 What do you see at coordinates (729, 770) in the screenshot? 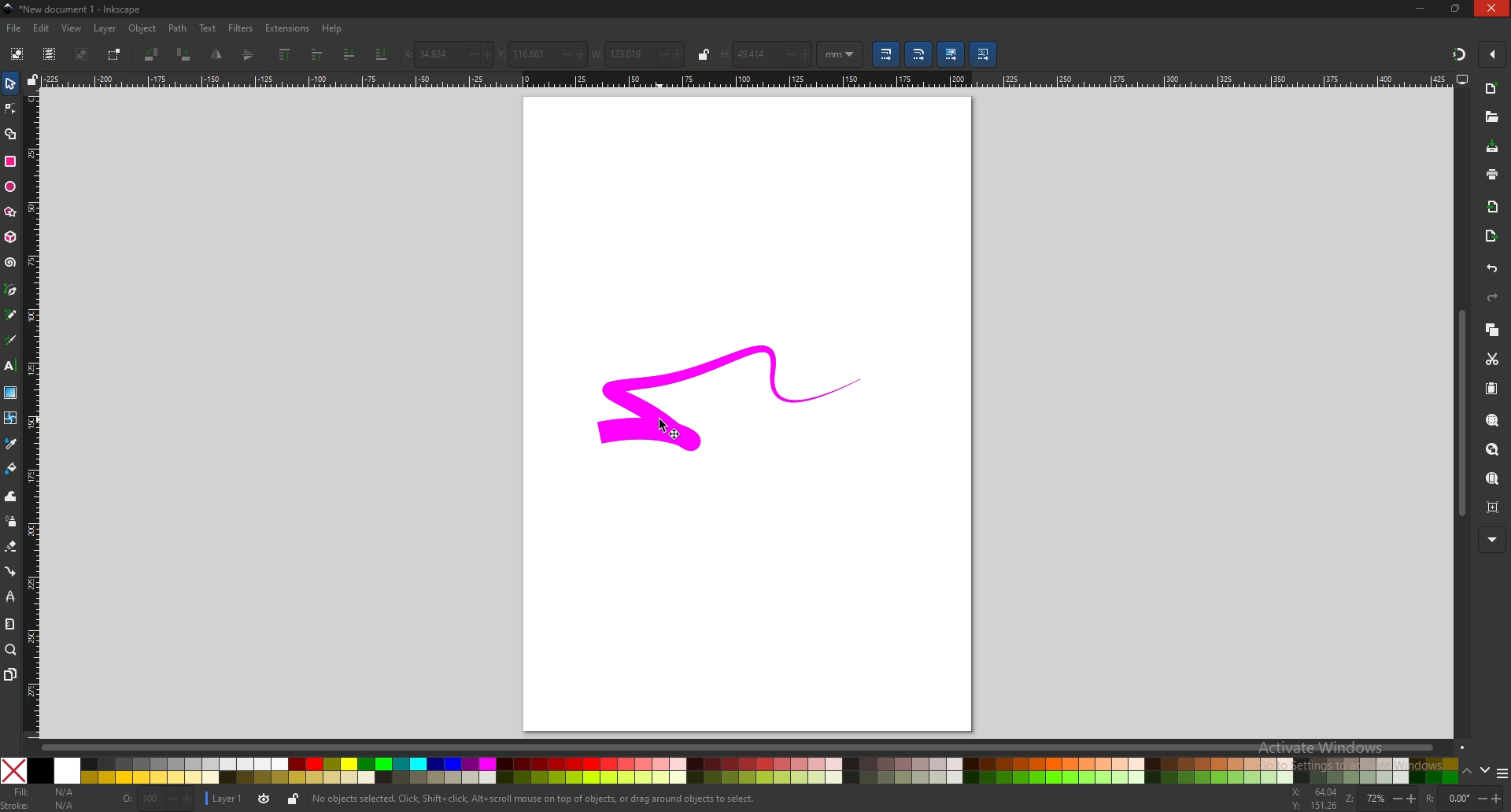
I see `colors` at bounding box center [729, 770].